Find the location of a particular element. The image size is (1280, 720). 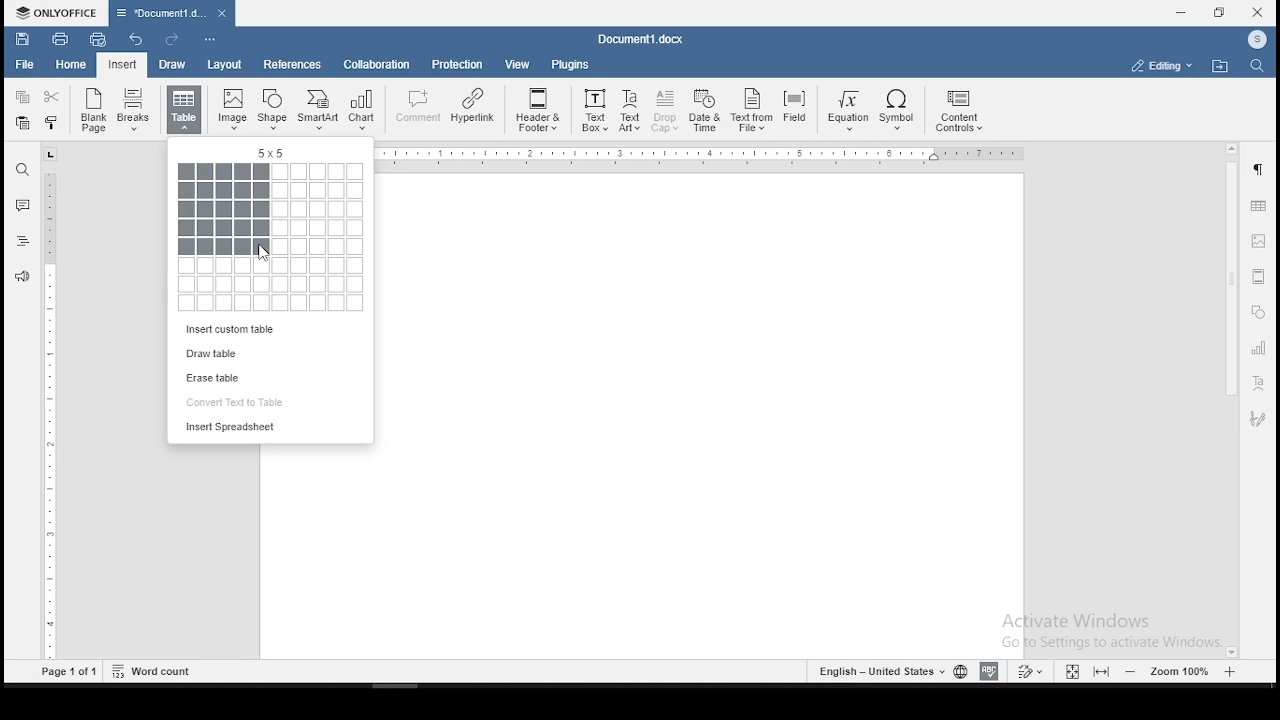

5x5 is located at coordinates (267, 151).